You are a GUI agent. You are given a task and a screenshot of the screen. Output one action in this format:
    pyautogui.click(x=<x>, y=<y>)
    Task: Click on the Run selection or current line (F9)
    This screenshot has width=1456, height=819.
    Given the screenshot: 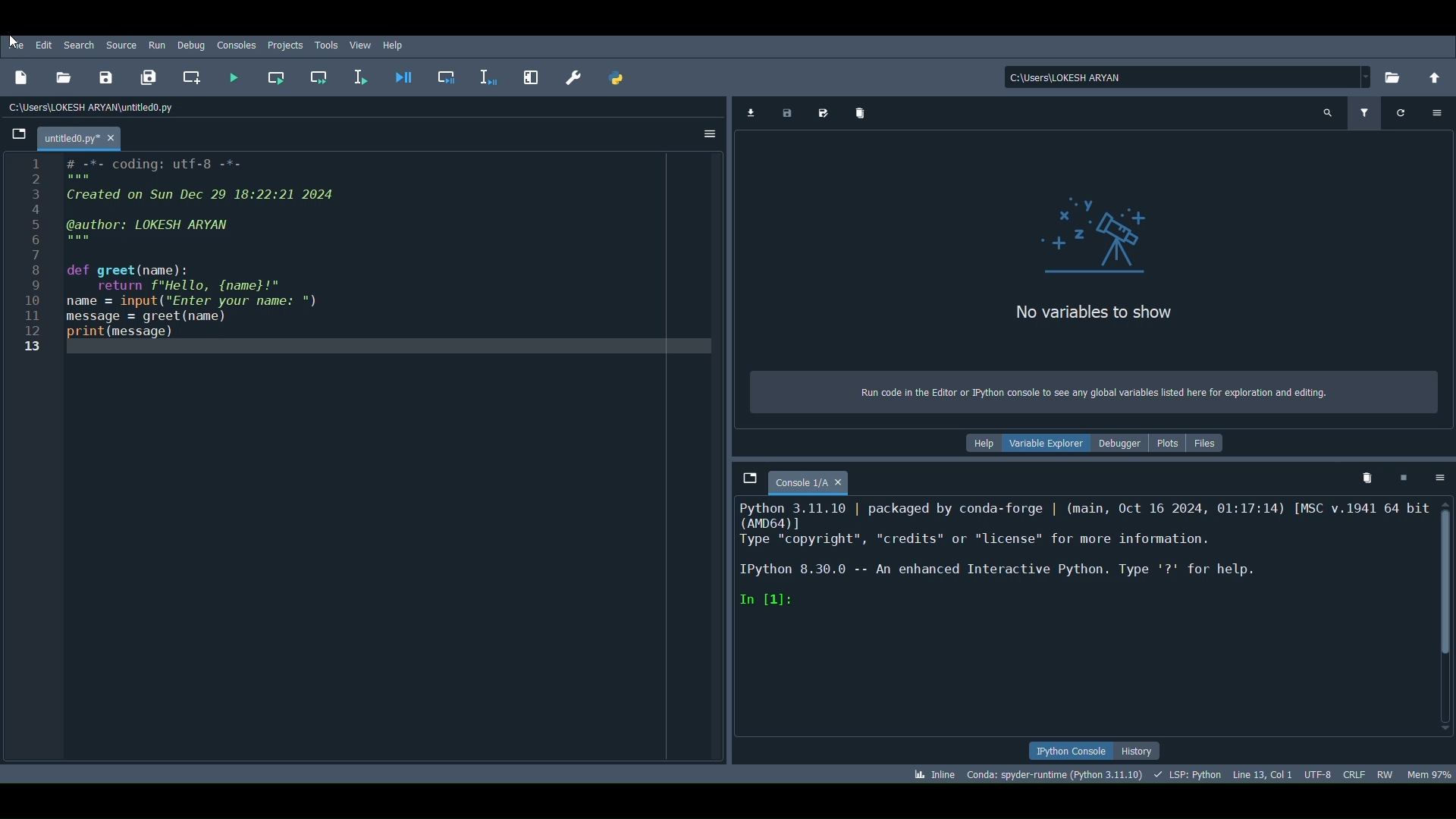 What is the action you would take?
    pyautogui.click(x=360, y=75)
    